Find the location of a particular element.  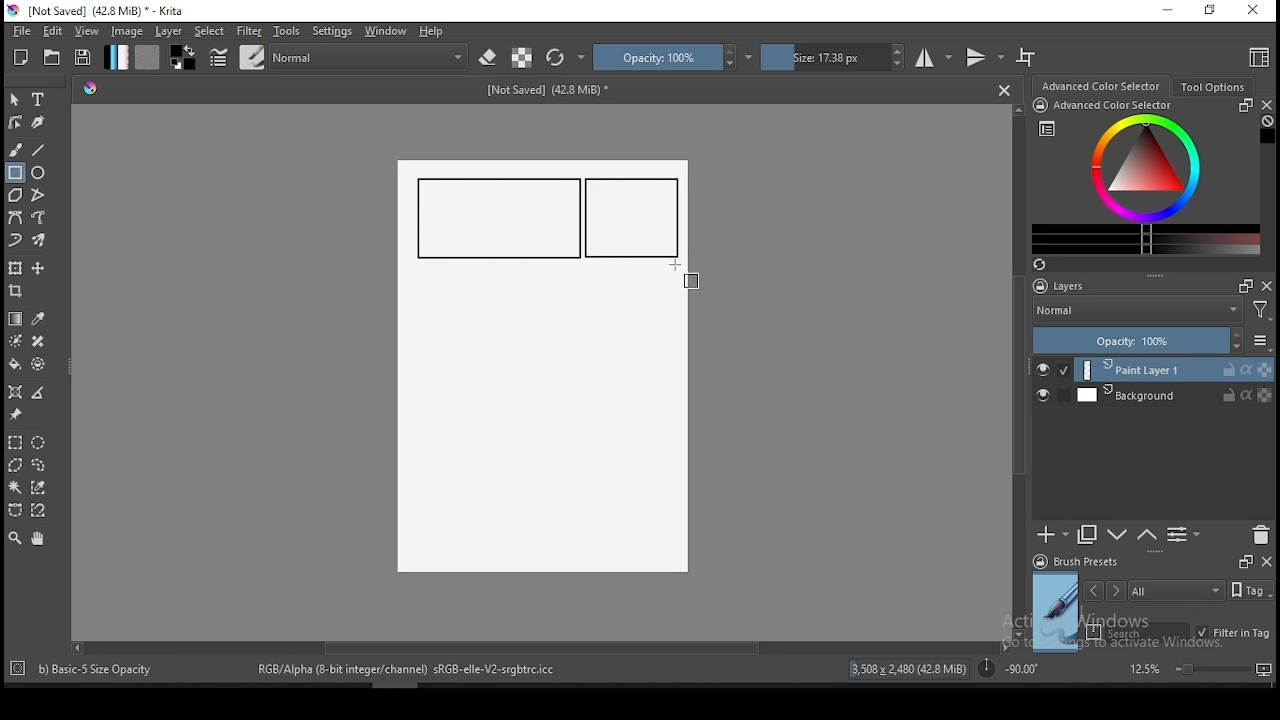

brush presets is located at coordinates (1082, 562).